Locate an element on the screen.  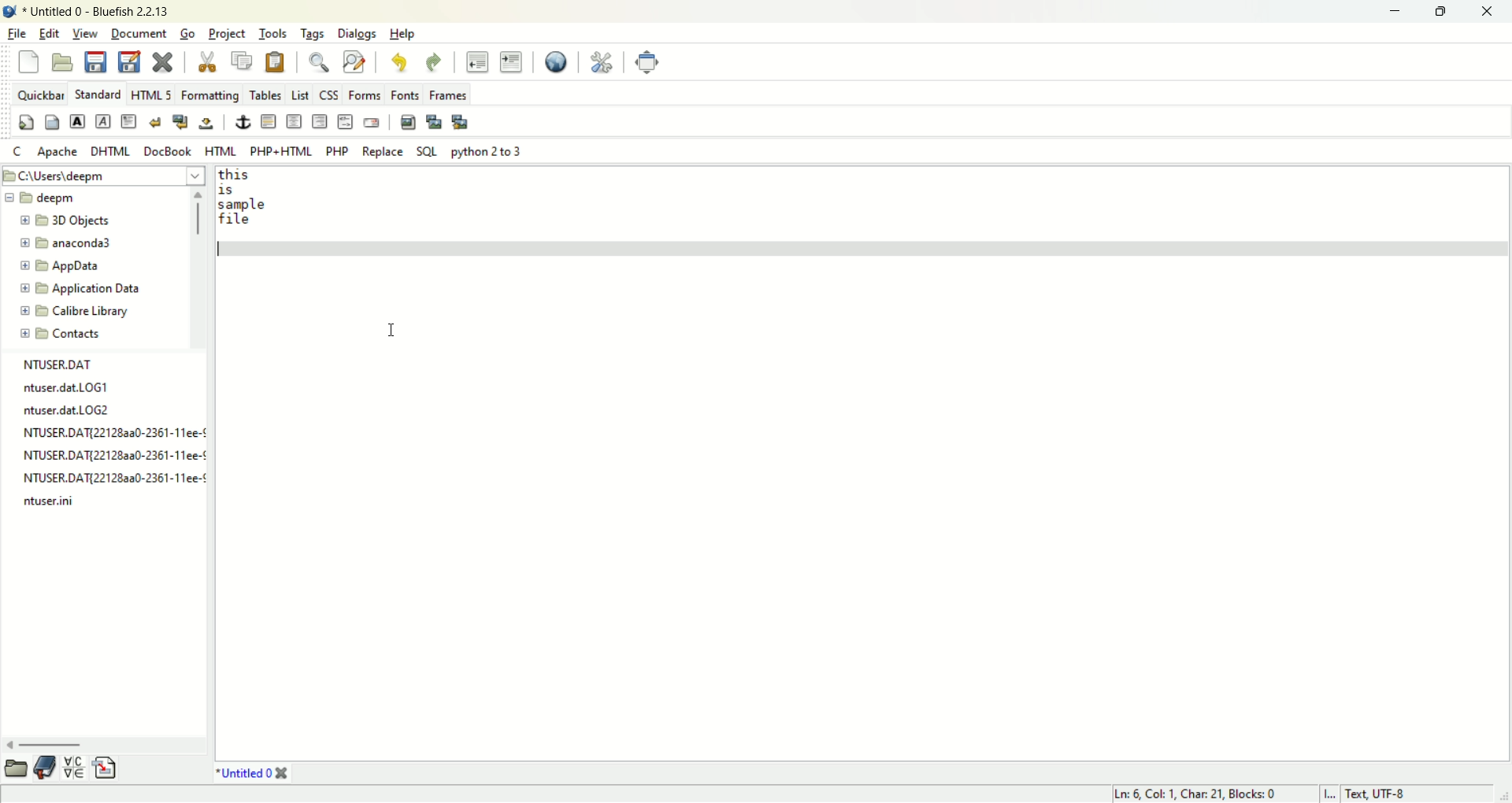
title is located at coordinates (248, 772).